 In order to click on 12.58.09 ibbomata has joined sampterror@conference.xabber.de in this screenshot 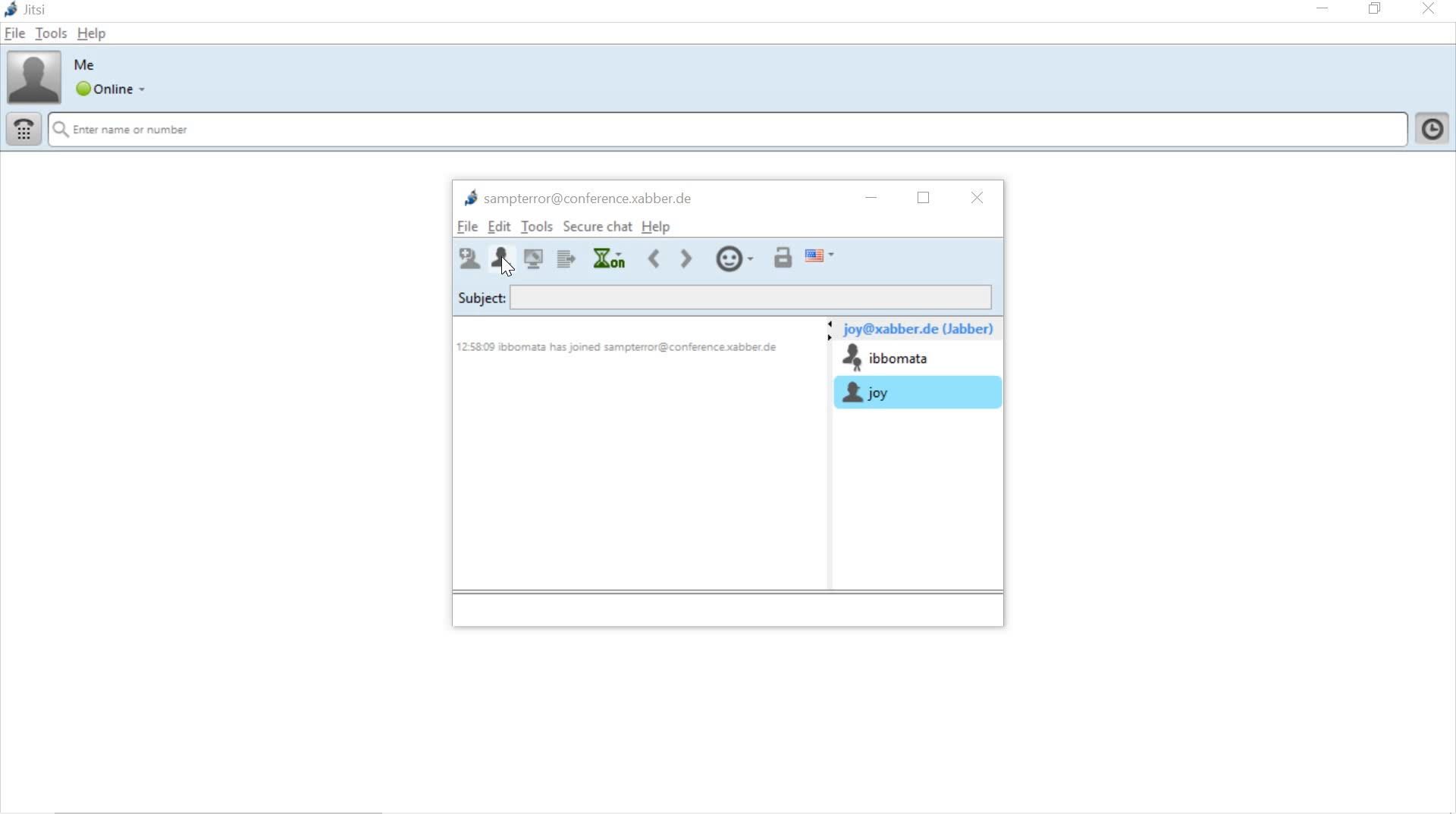, I will do `click(629, 349)`.